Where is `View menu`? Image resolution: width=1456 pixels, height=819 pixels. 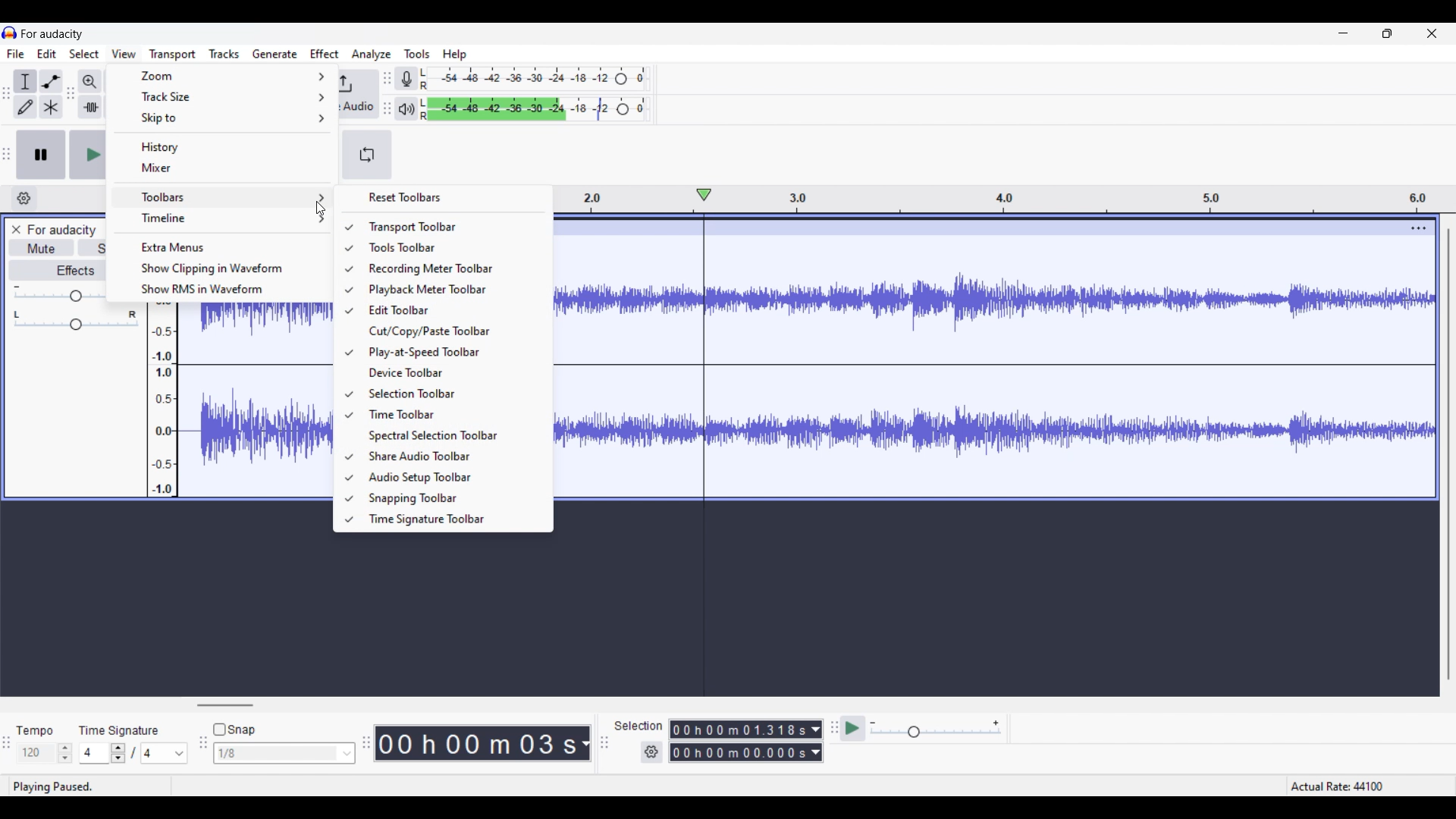 View menu is located at coordinates (124, 53).